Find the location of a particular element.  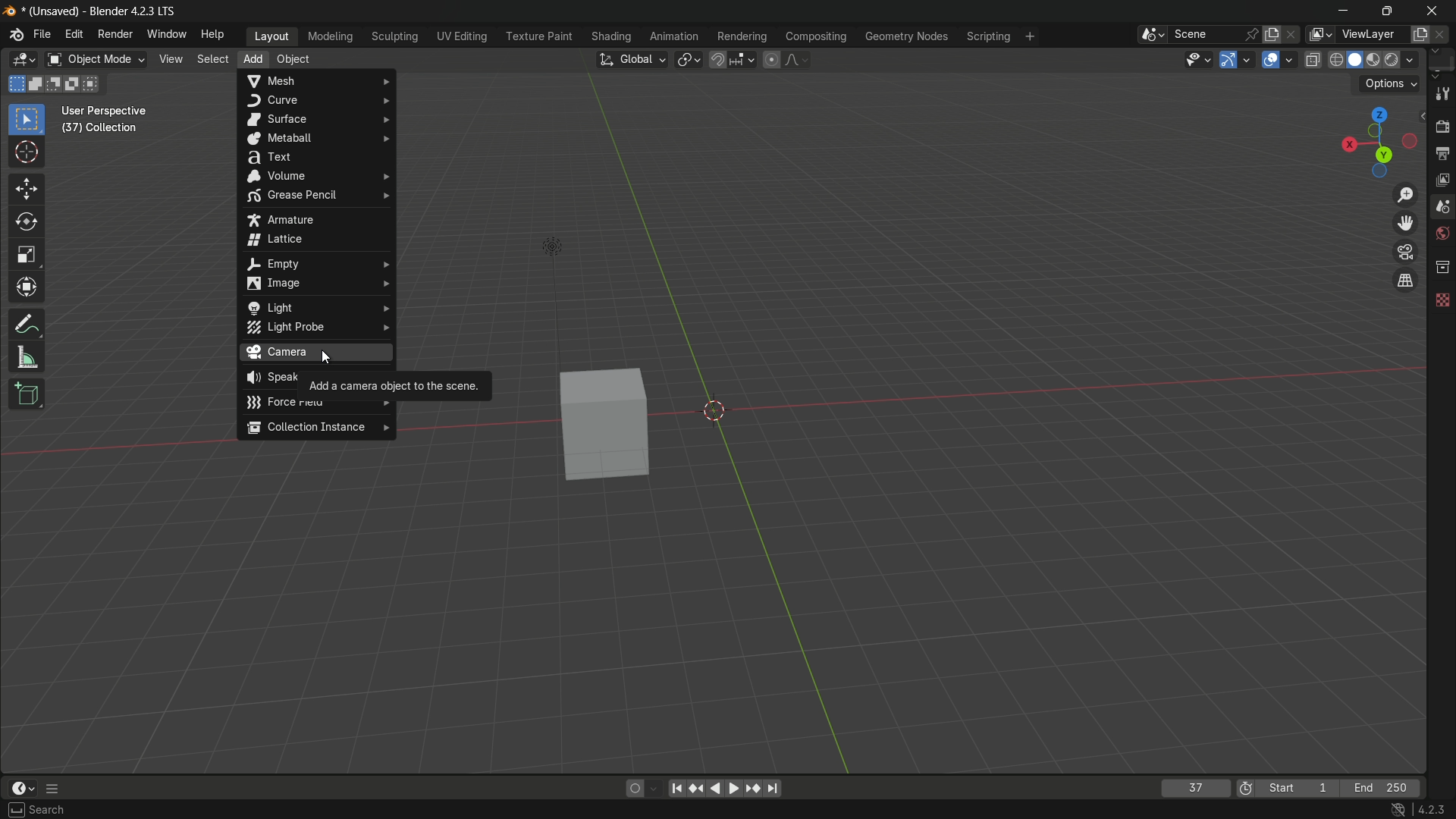

light probe is located at coordinates (316, 328).